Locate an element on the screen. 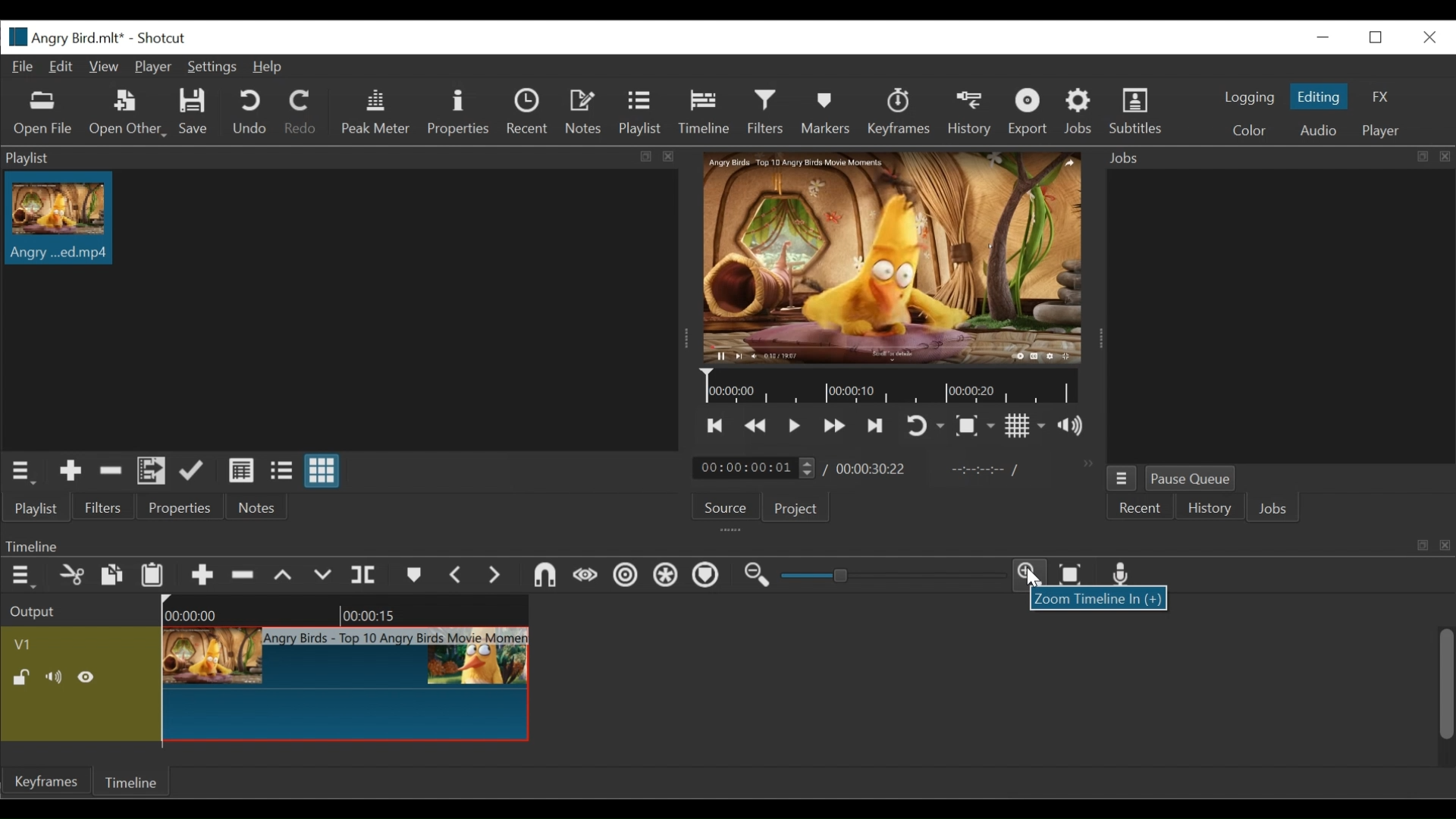  Filters is located at coordinates (102, 510).